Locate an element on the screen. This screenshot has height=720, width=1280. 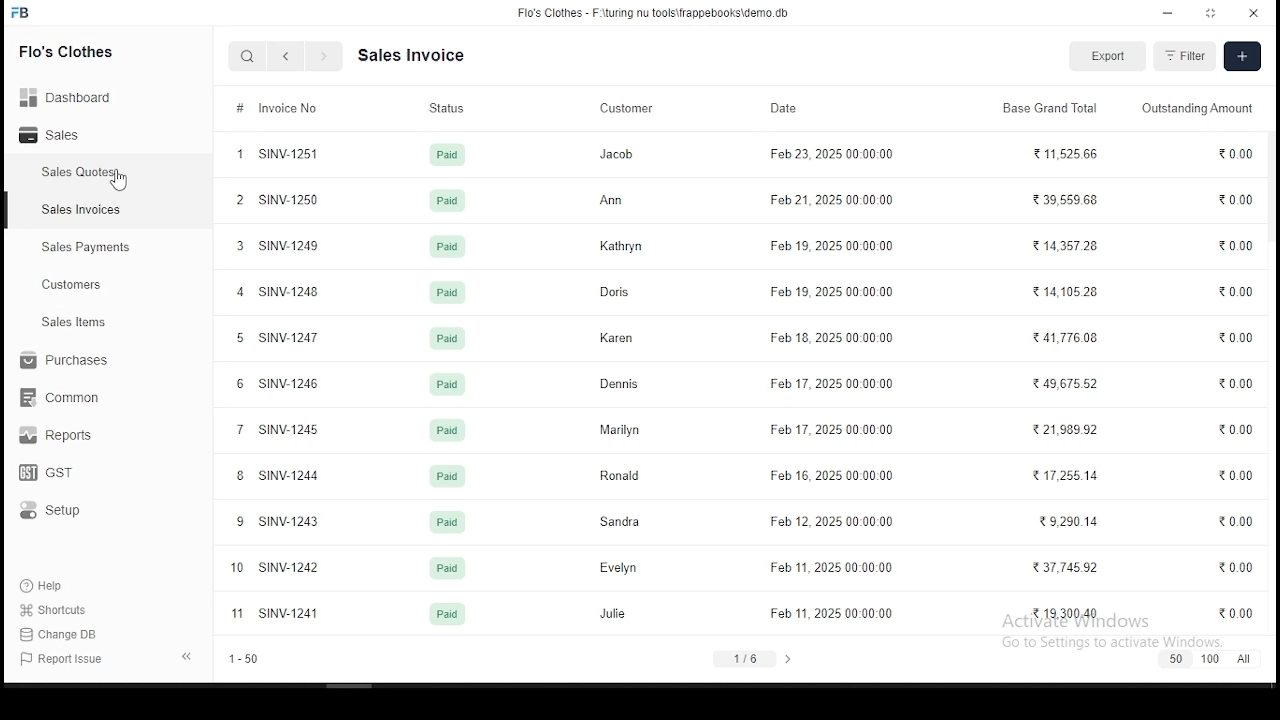
Sandra is located at coordinates (627, 523).